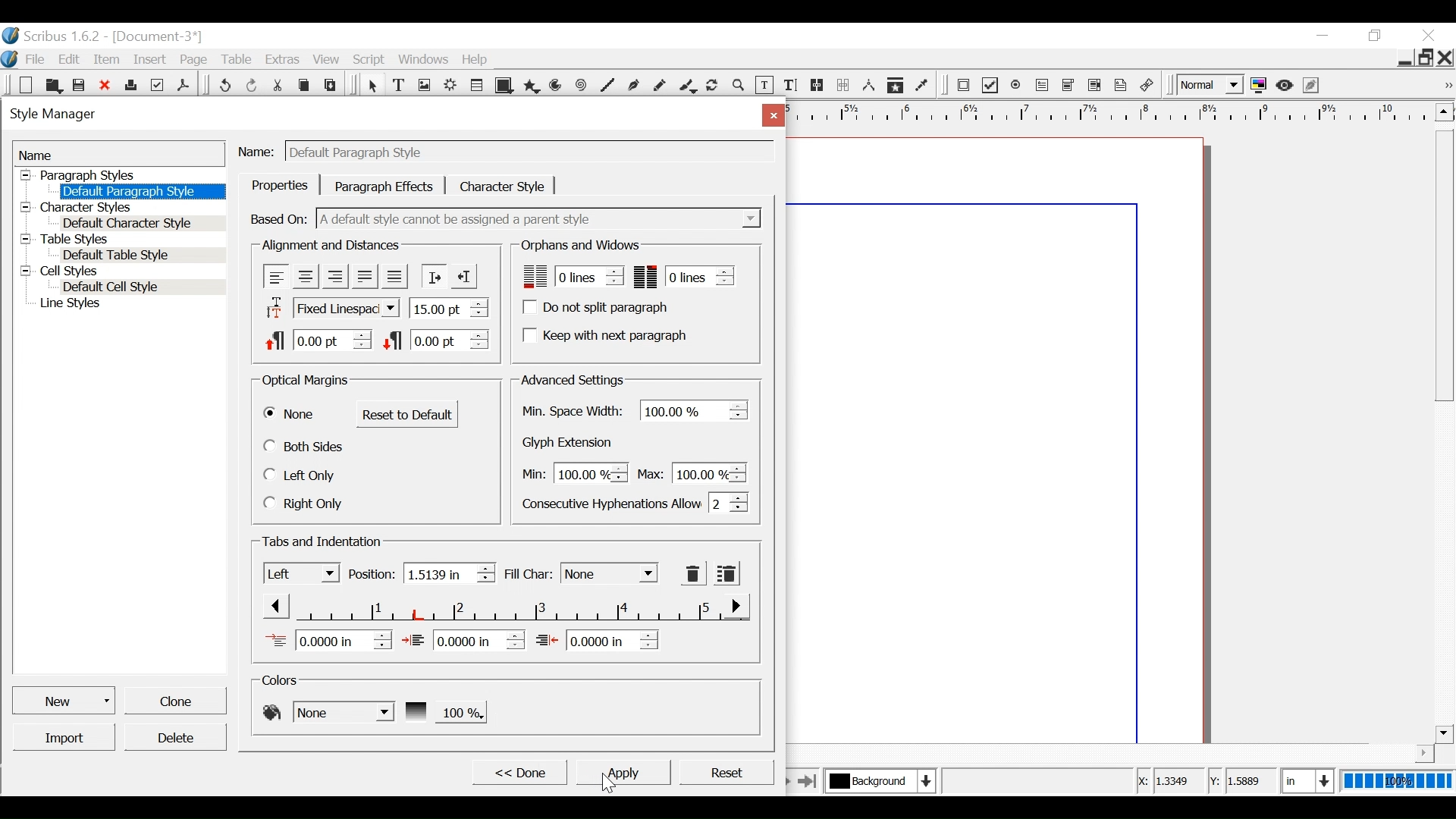 The width and height of the screenshot is (1456, 819). Describe the element at coordinates (140, 191) in the screenshot. I see `Default Paragraph` at that location.